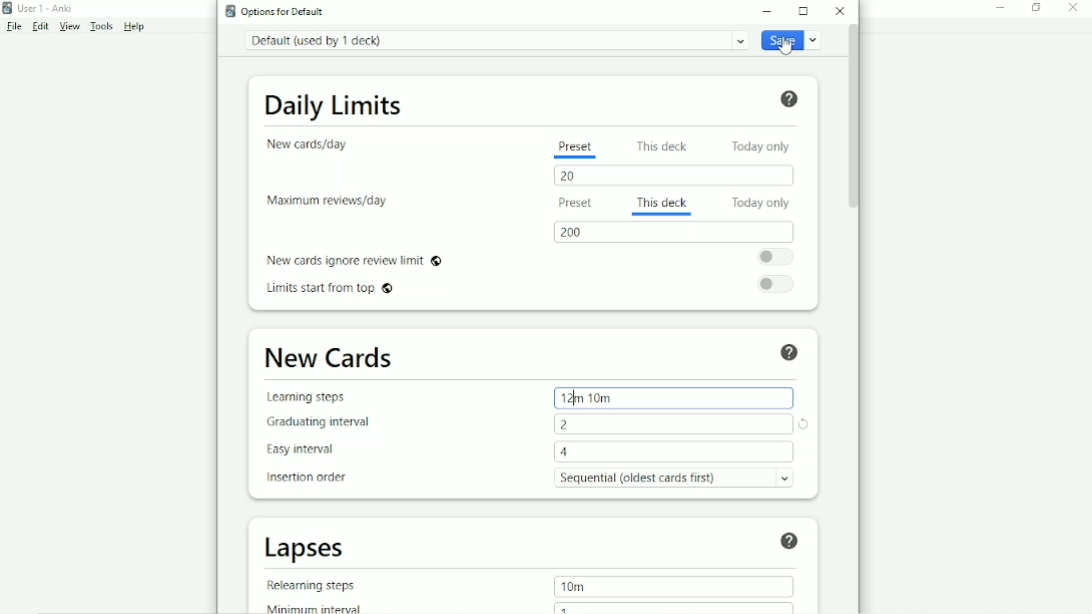  I want to click on Save, so click(790, 40).